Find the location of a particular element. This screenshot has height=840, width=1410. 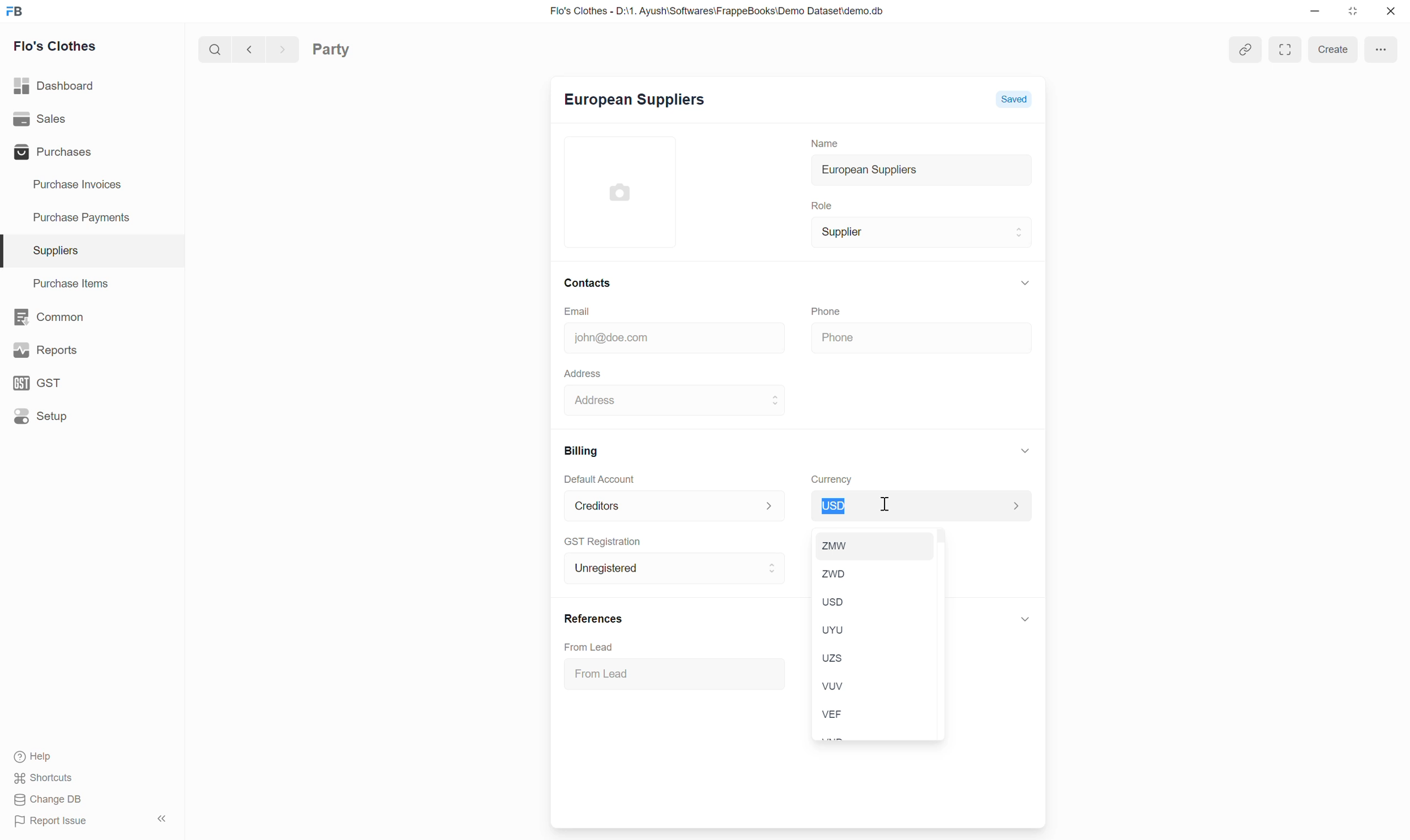

BE Common is located at coordinates (45, 313).